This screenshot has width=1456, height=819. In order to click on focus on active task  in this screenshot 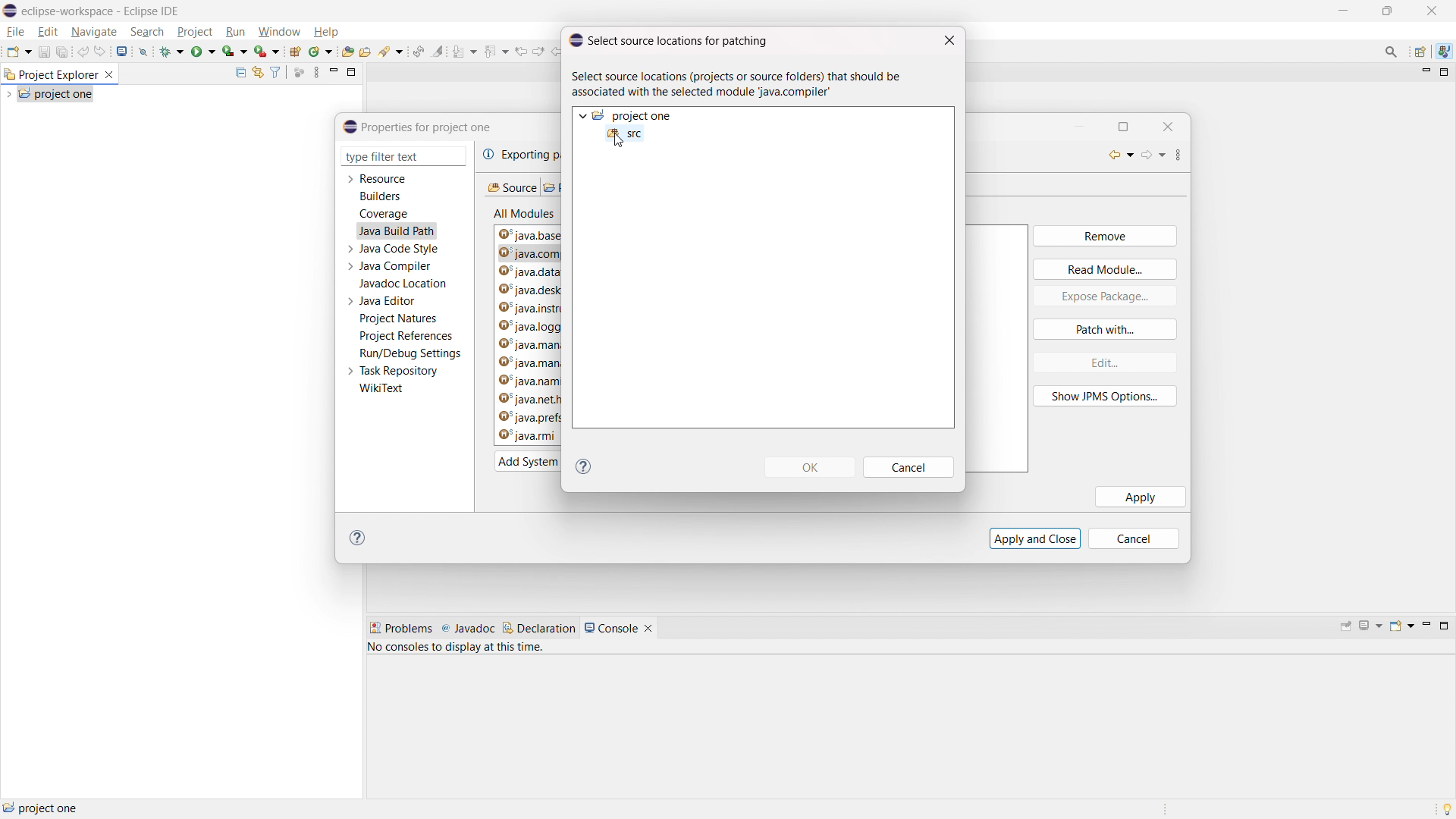, I will do `click(300, 73)`.